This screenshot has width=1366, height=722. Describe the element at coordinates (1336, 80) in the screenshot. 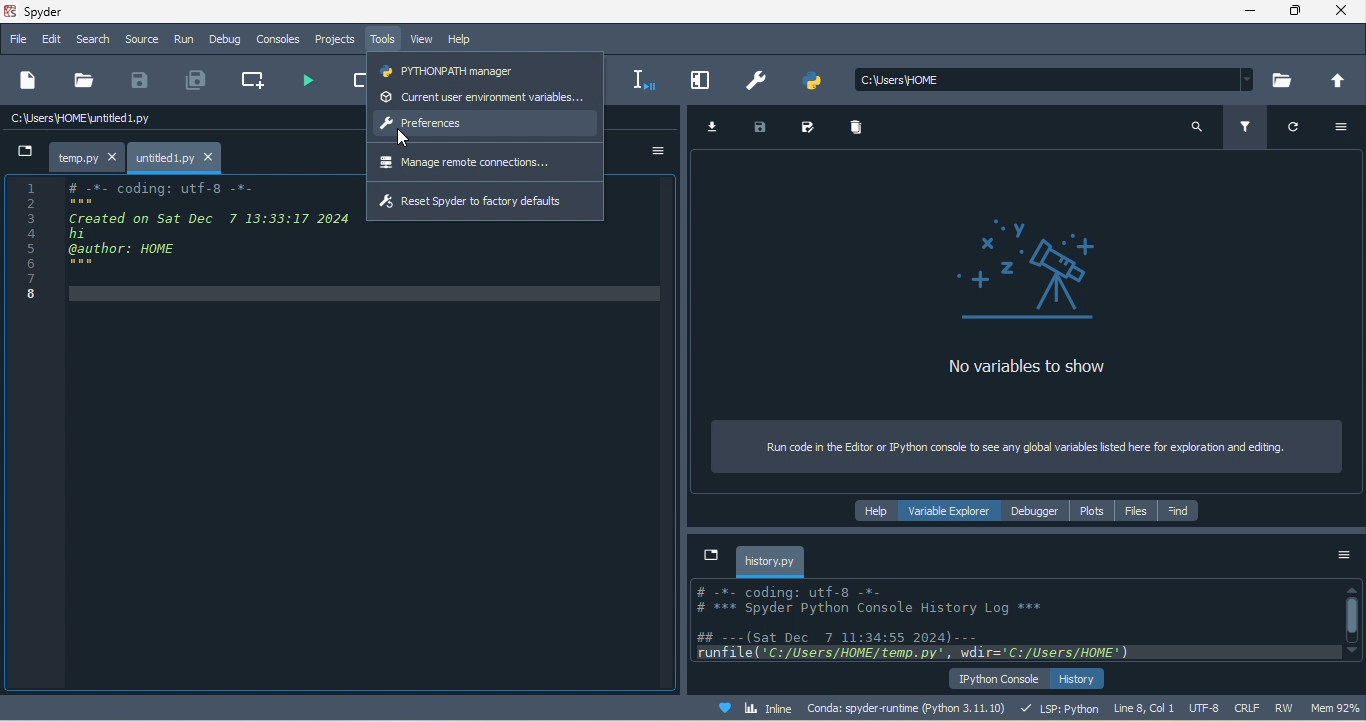

I see `change to parent directoy` at that location.